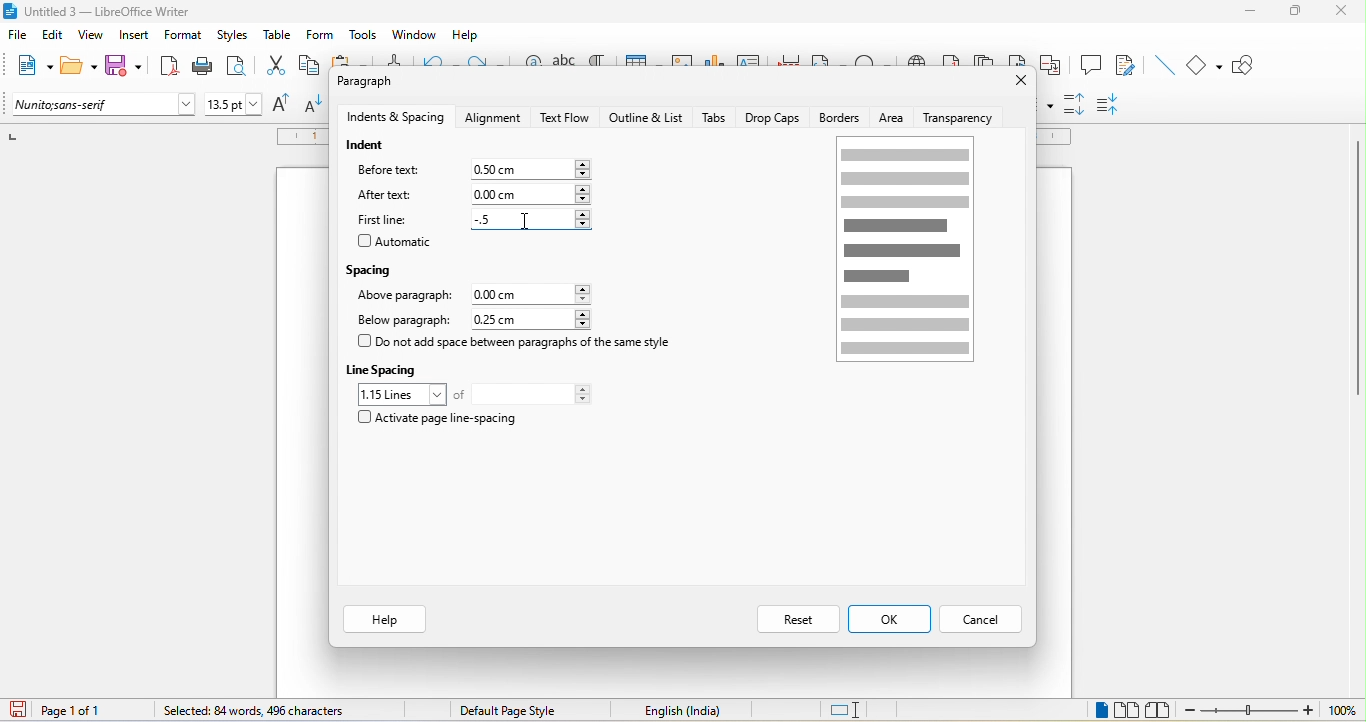  I want to click on help, so click(383, 620).